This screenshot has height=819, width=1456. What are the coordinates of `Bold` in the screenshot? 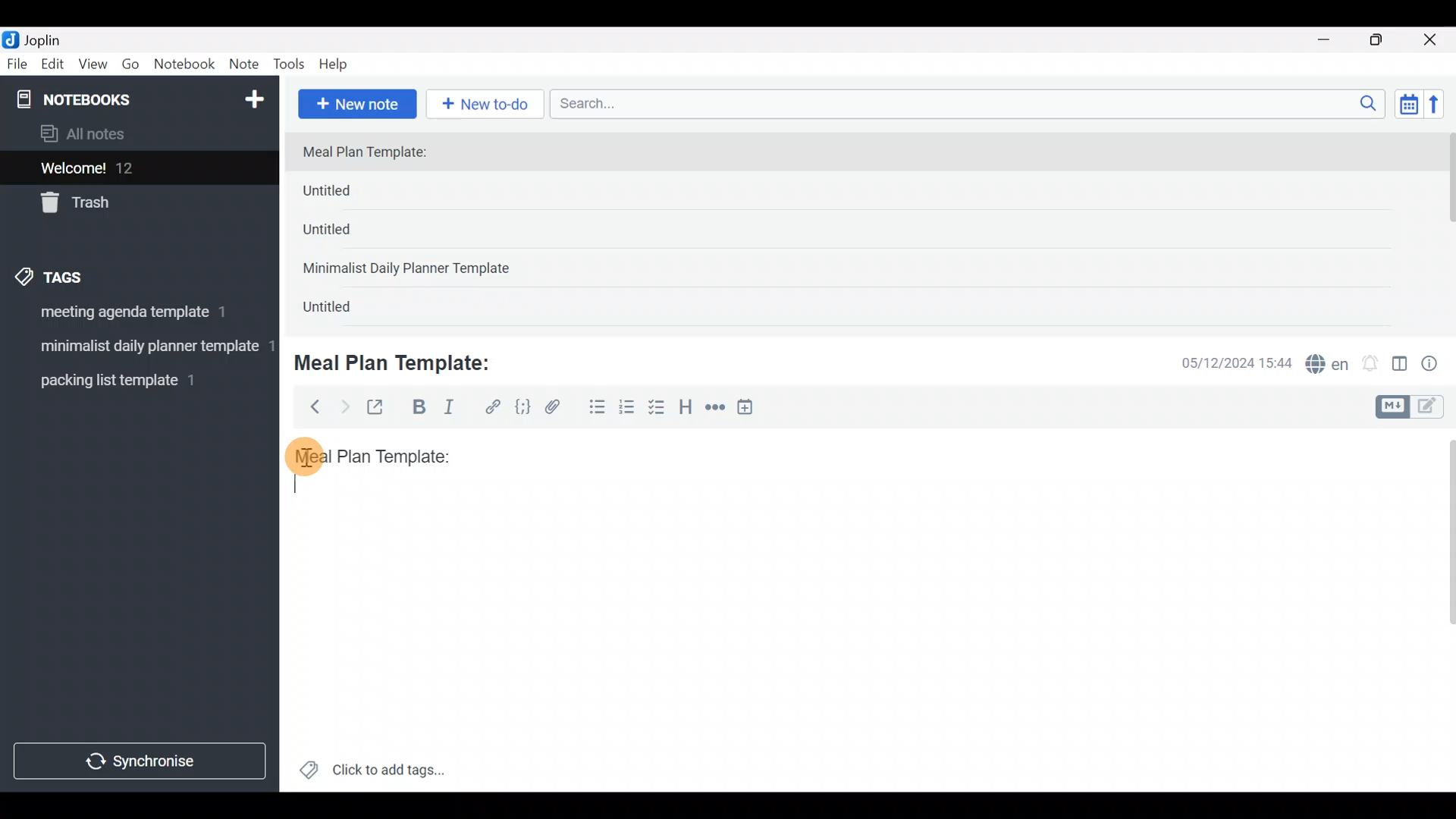 It's located at (418, 409).